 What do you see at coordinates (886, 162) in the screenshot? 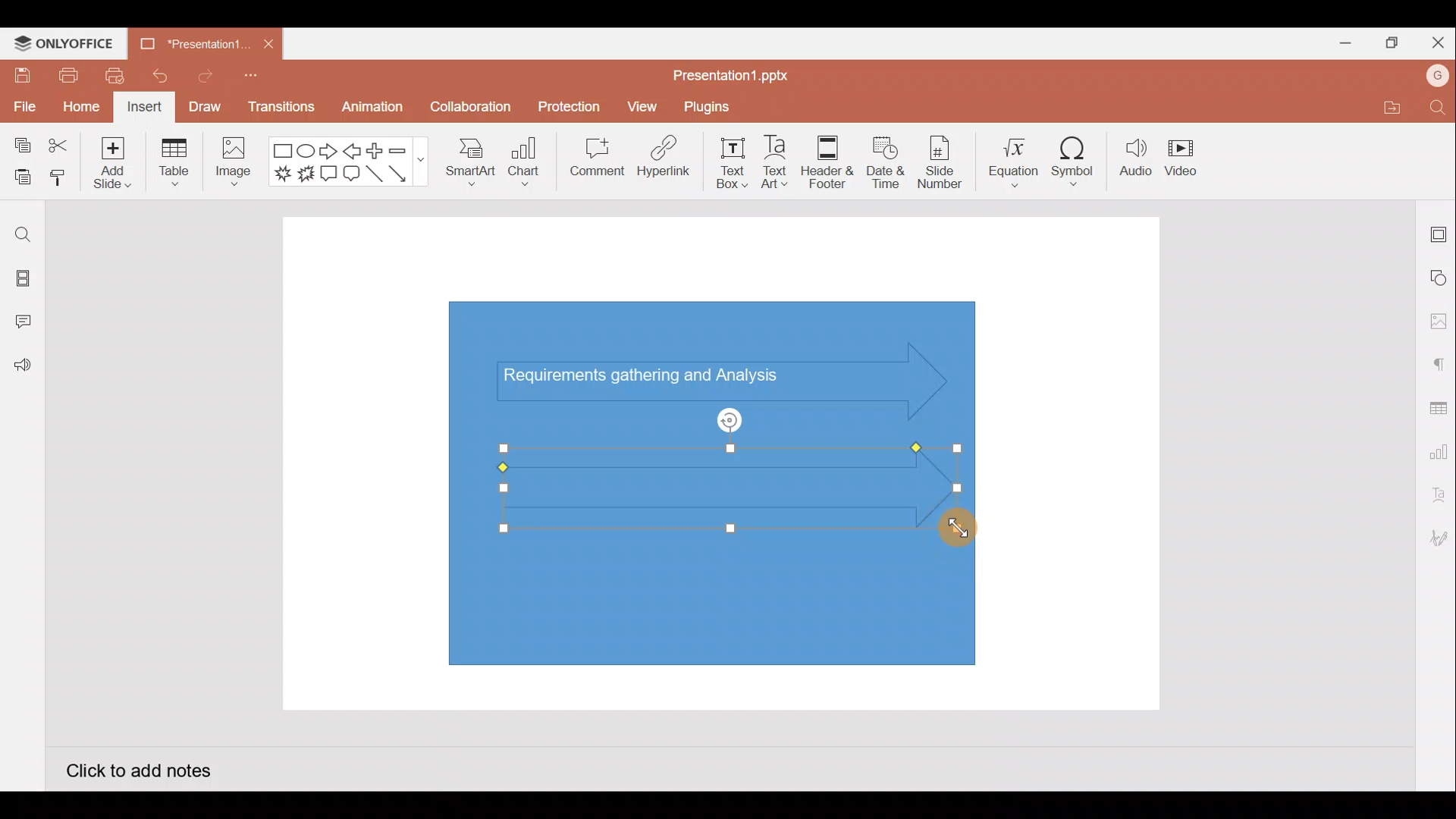
I see `Date & time` at bounding box center [886, 162].